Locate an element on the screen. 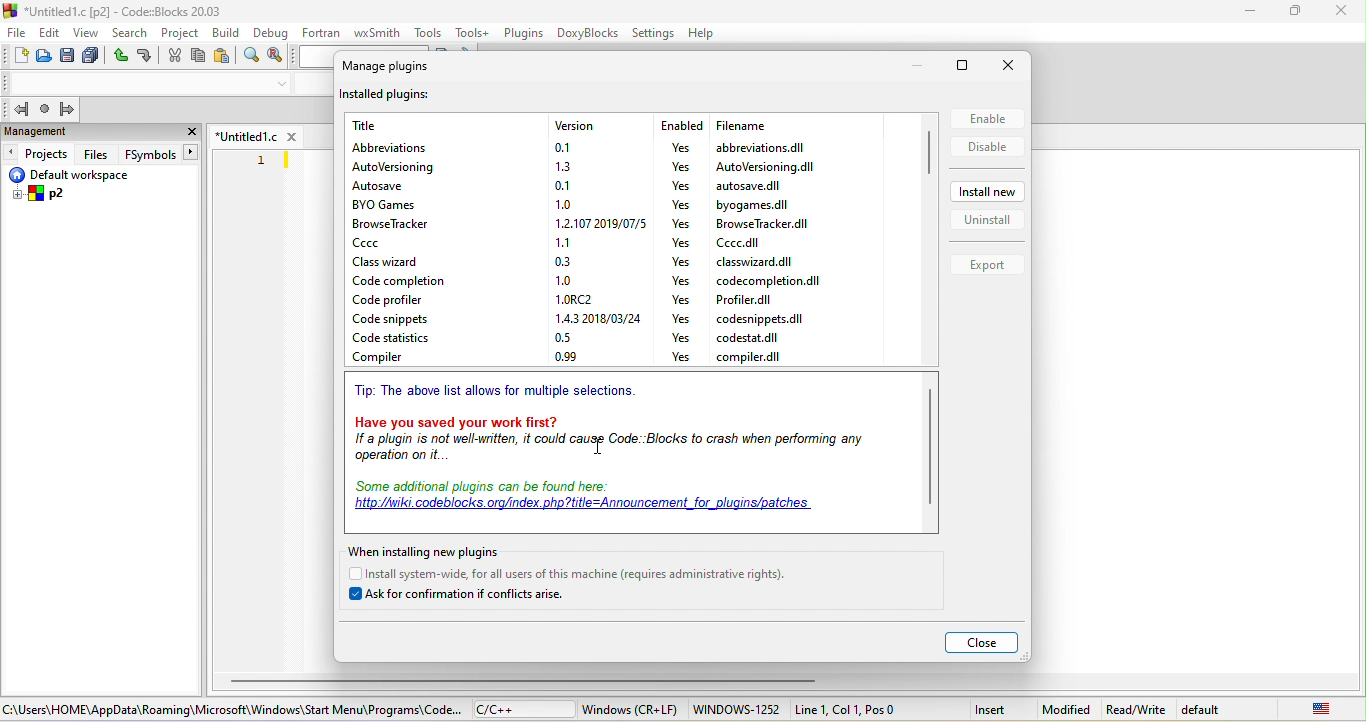  close is located at coordinates (1012, 66).